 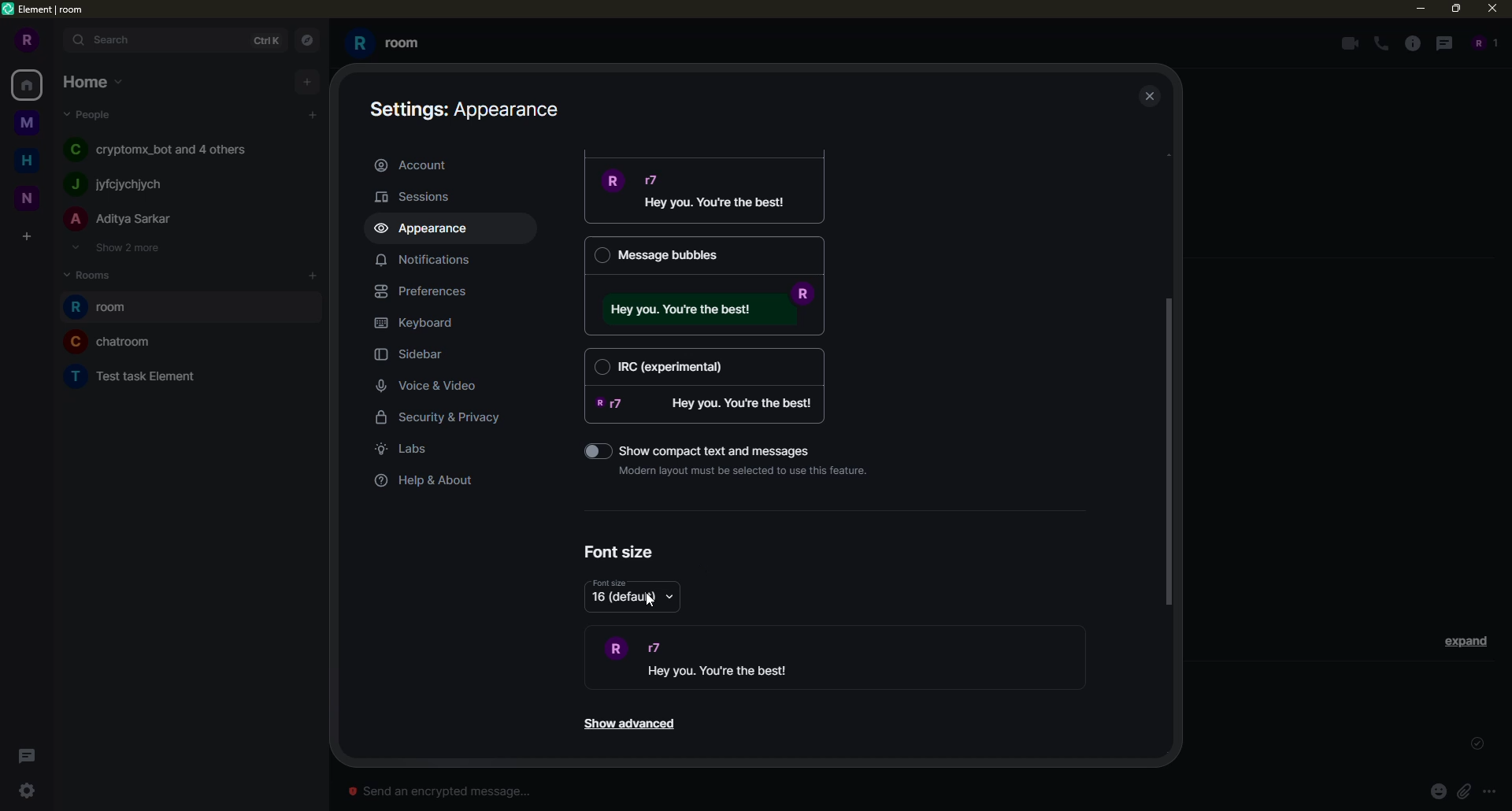 What do you see at coordinates (1474, 744) in the screenshot?
I see `sent` at bounding box center [1474, 744].